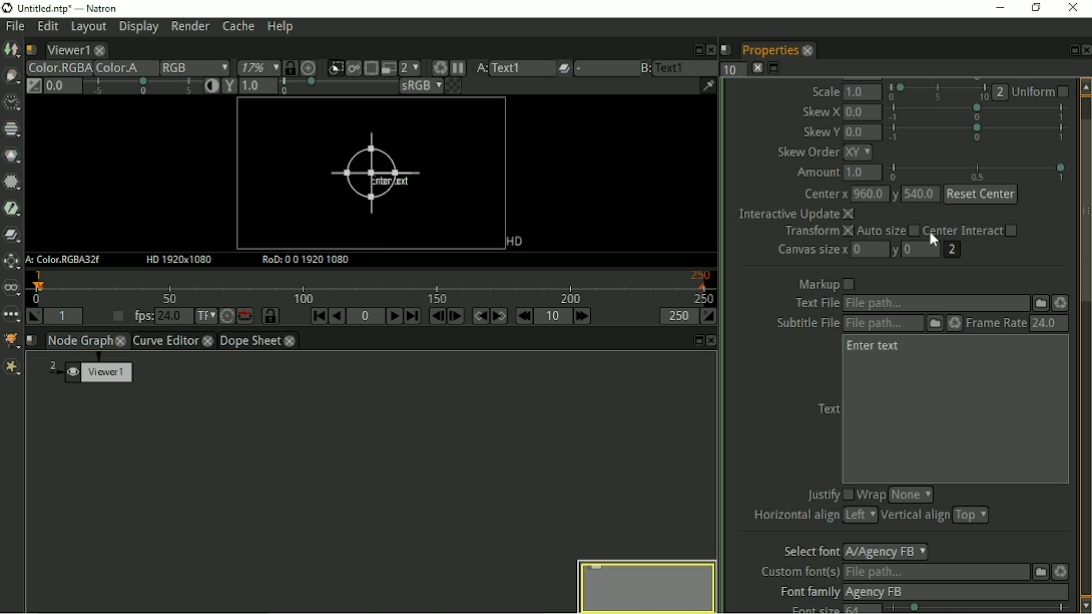  I want to click on Restore down, so click(1037, 9).